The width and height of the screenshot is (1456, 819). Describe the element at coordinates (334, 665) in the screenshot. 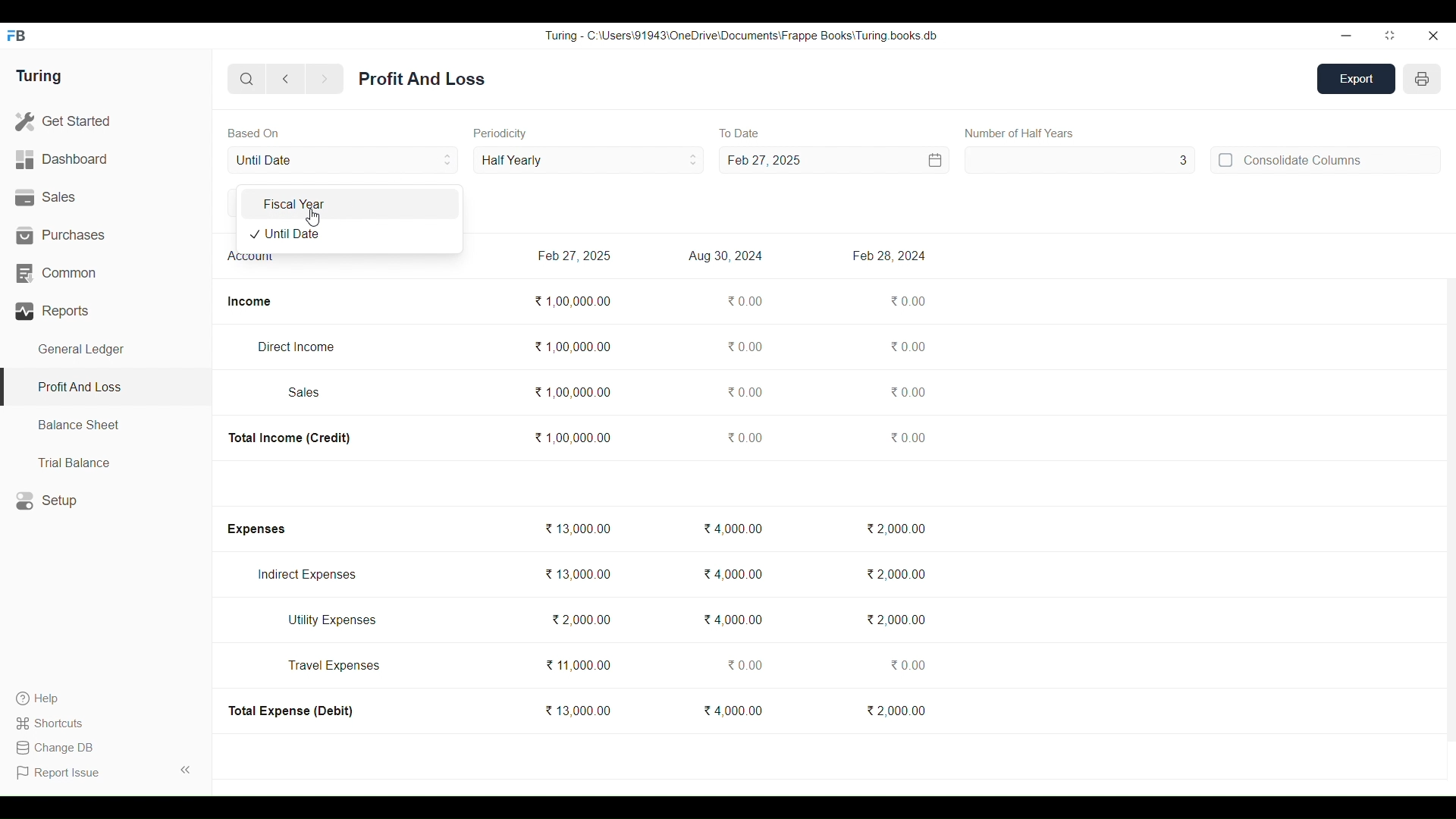

I see `Travel Expenses` at that location.